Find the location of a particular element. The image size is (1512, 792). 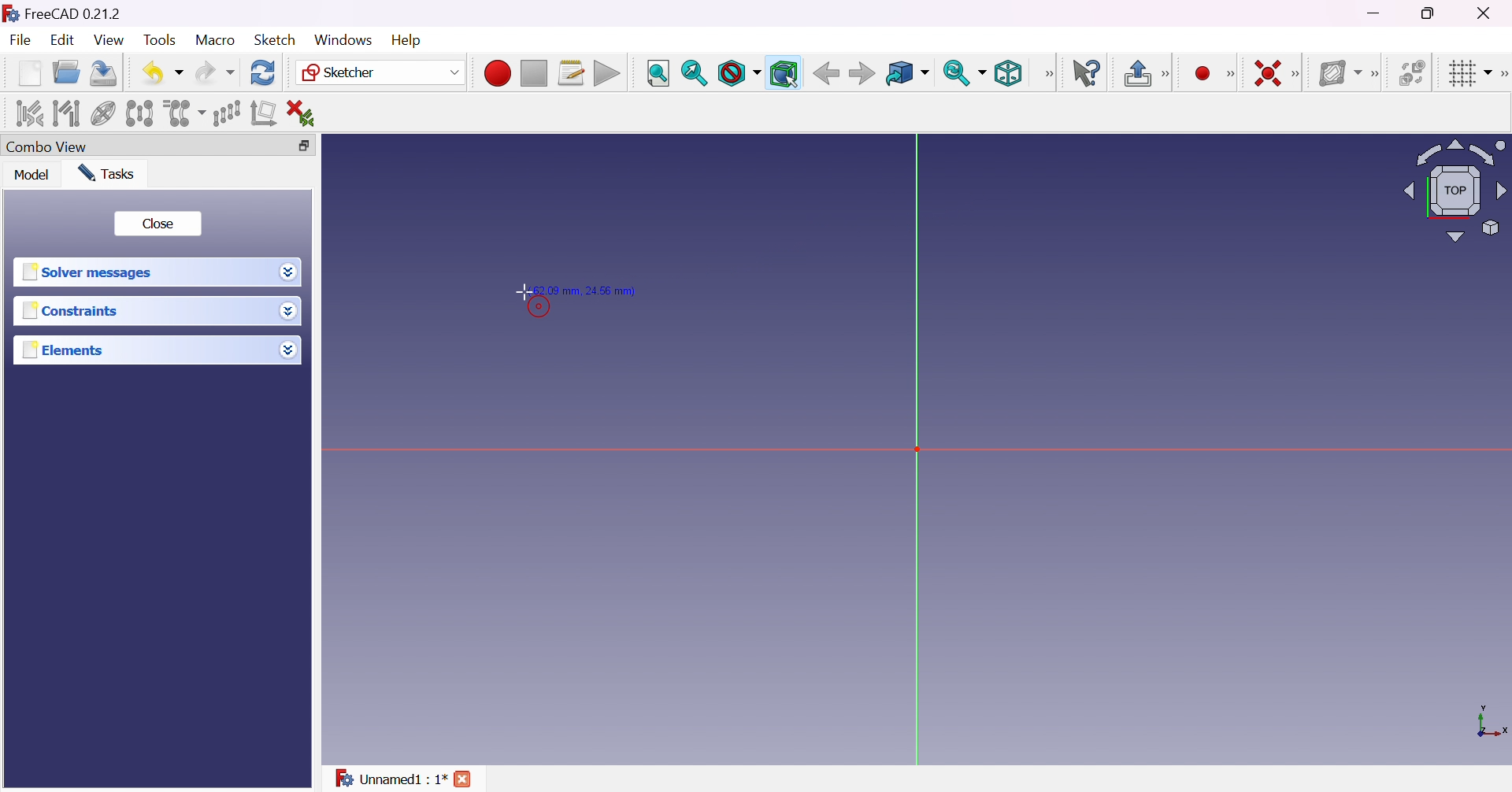

[Sketcher constraints] is located at coordinates (1299, 75).